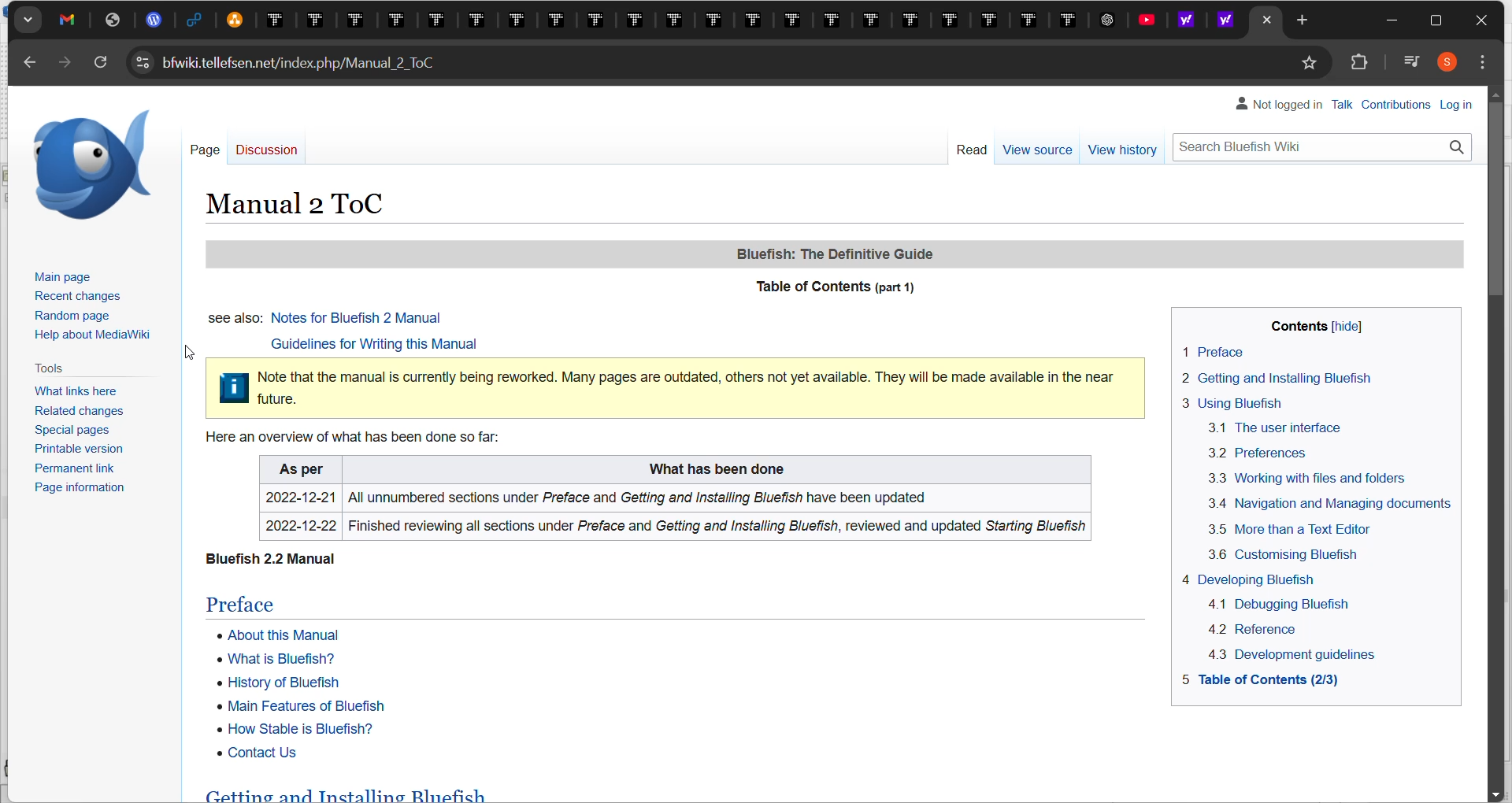  I want to click on contributions, so click(1402, 105).